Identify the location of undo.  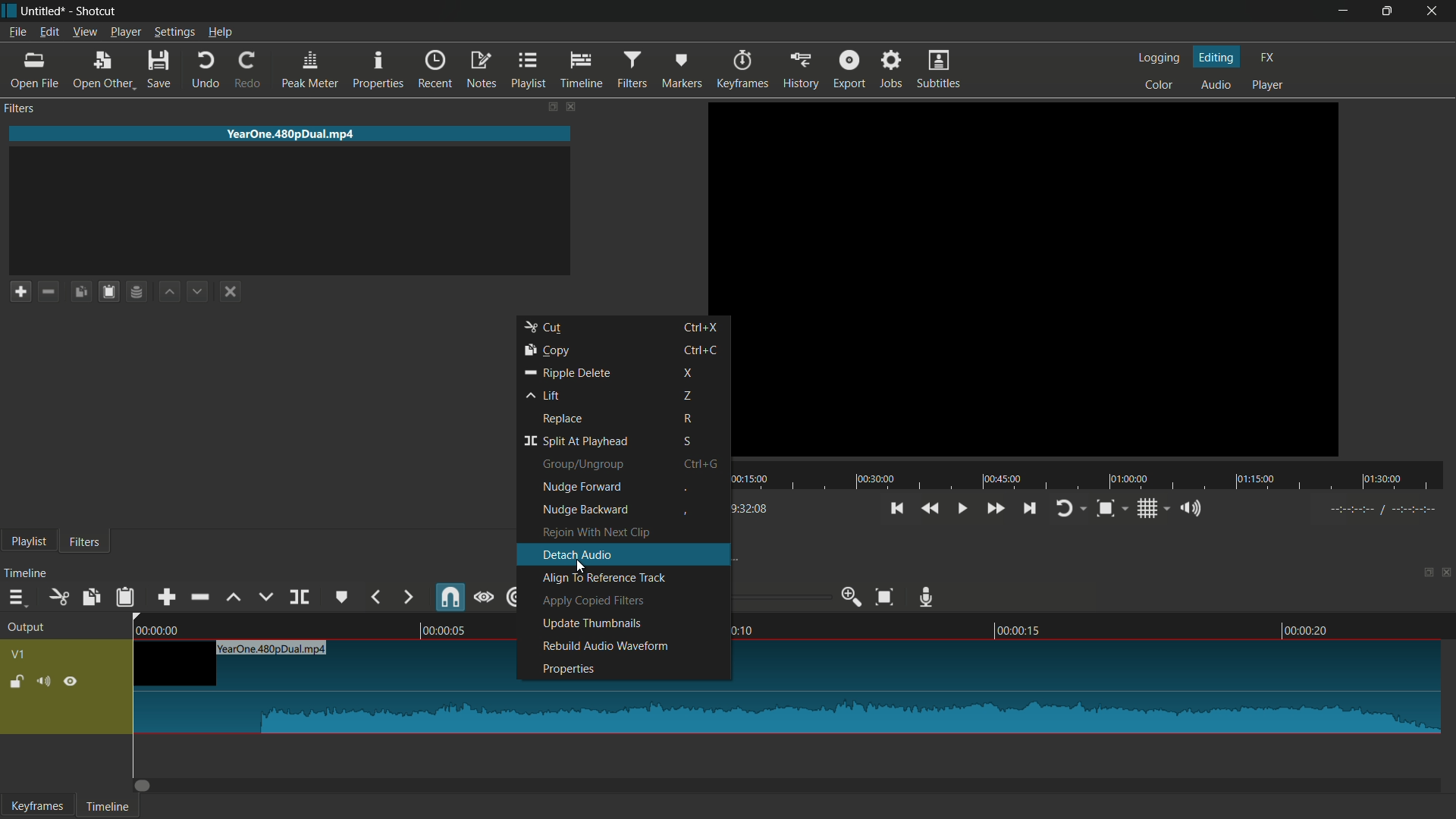
(202, 71).